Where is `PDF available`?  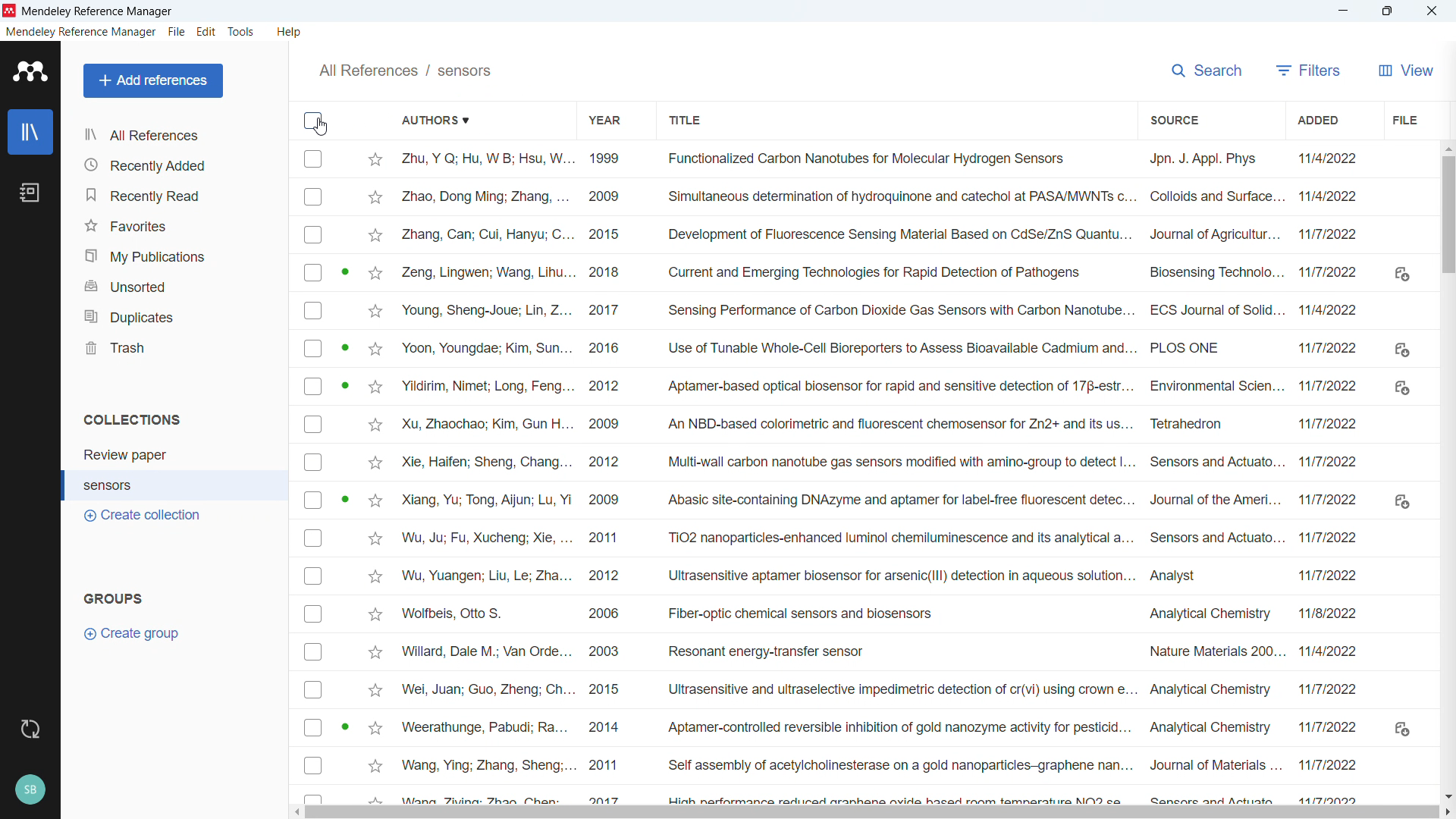
PDF available is located at coordinates (344, 347).